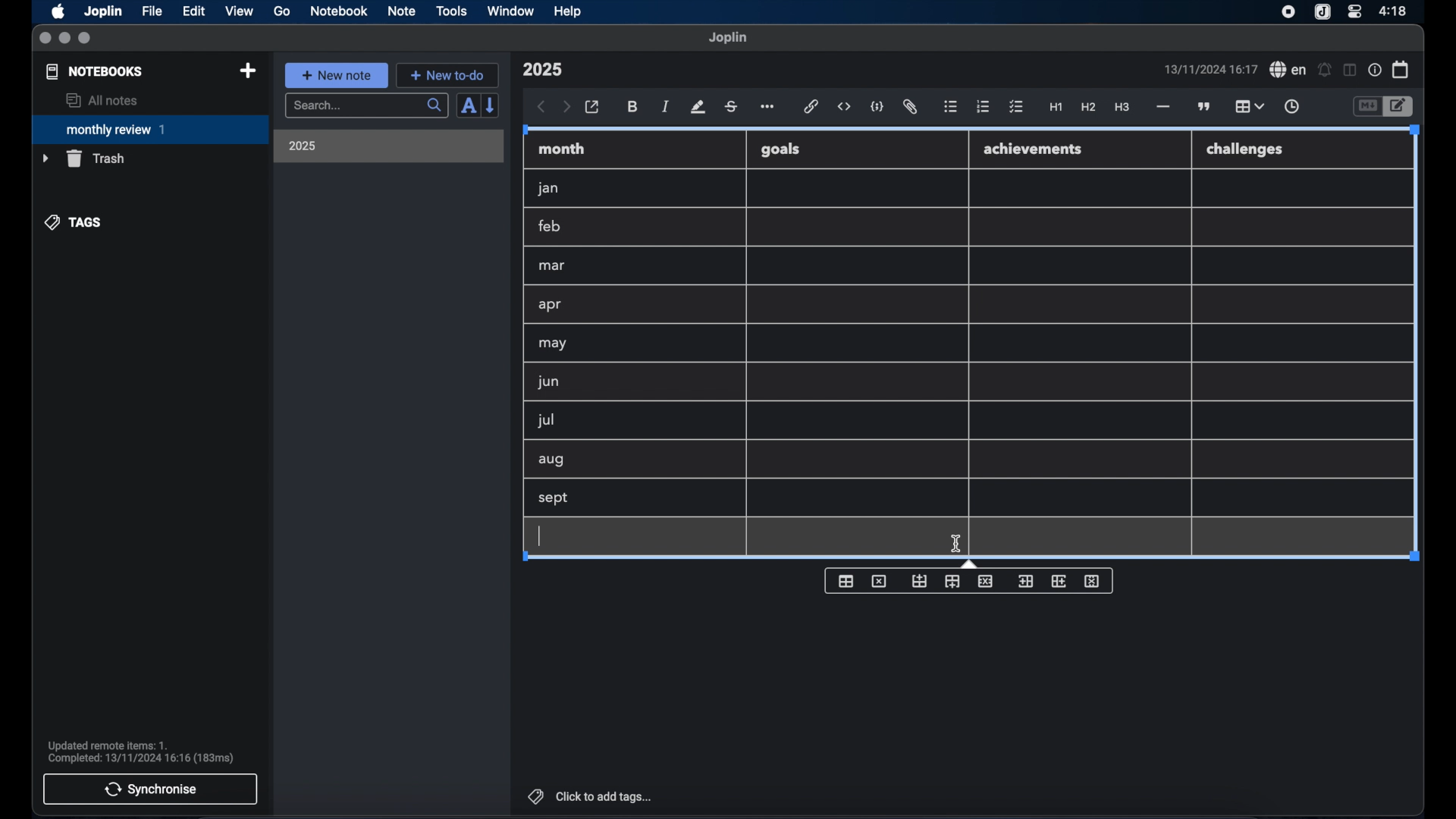 The image size is (1456, 819). What do you see at coordinates (451, 11) in the screenshot?
I see `tools` at bounding box center [451, 11].